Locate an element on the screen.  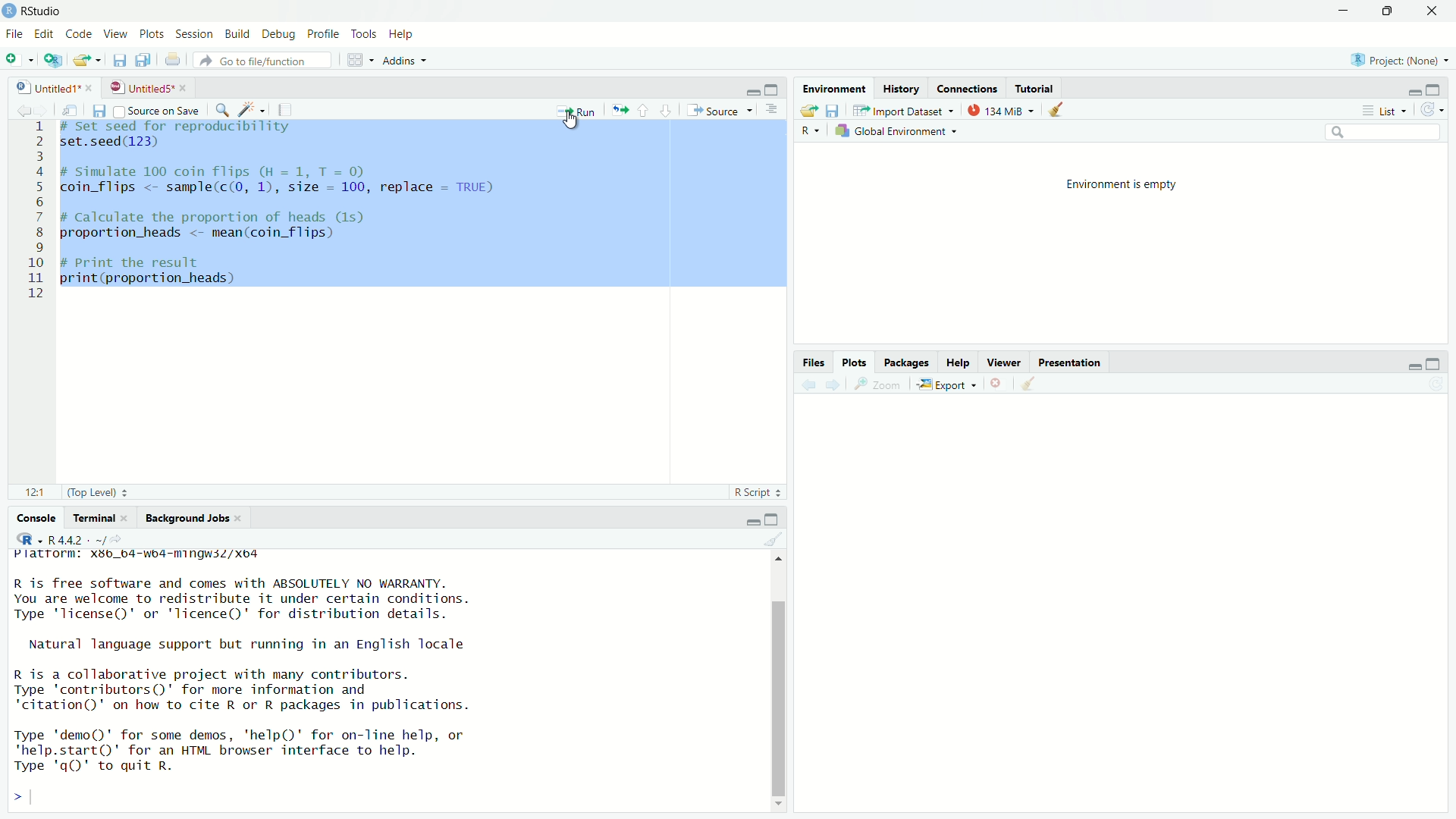
import dataset is located at coordinates (902, 108).